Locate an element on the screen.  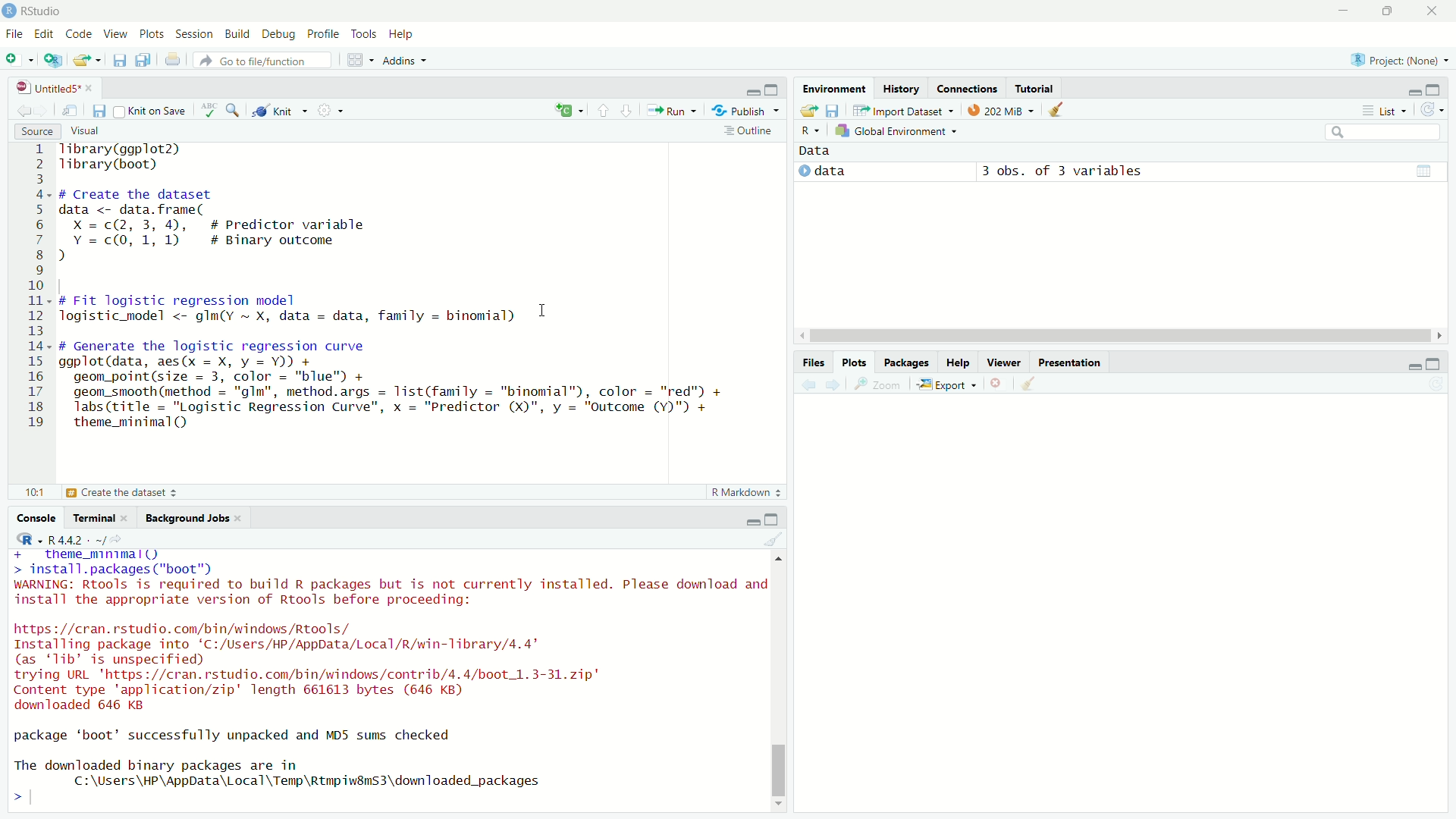
Help is located at coordinates (402, 33).